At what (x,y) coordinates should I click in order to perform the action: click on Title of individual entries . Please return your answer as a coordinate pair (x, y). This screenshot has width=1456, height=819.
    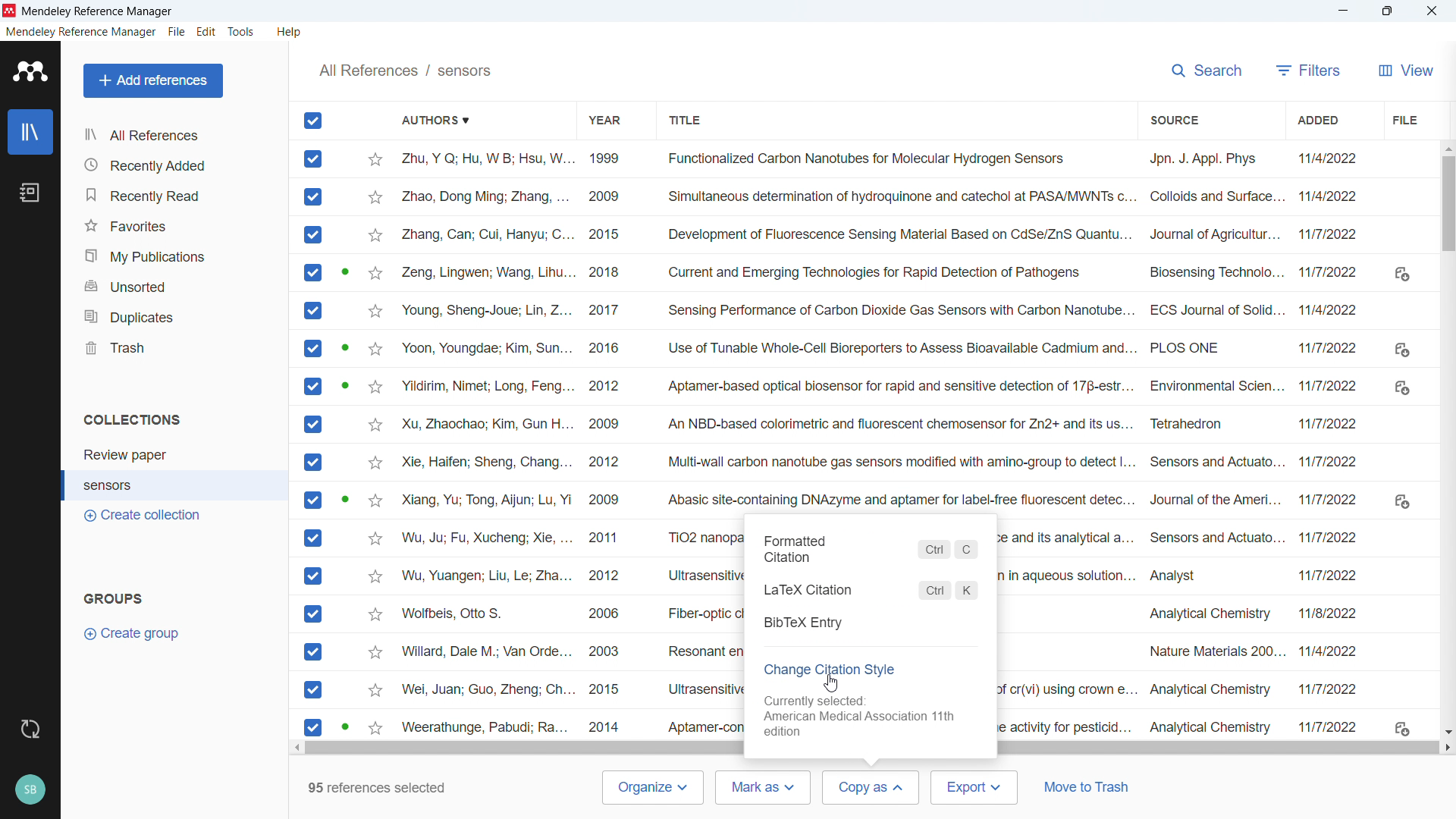
    Looking at the image, I should click on (896, 329).